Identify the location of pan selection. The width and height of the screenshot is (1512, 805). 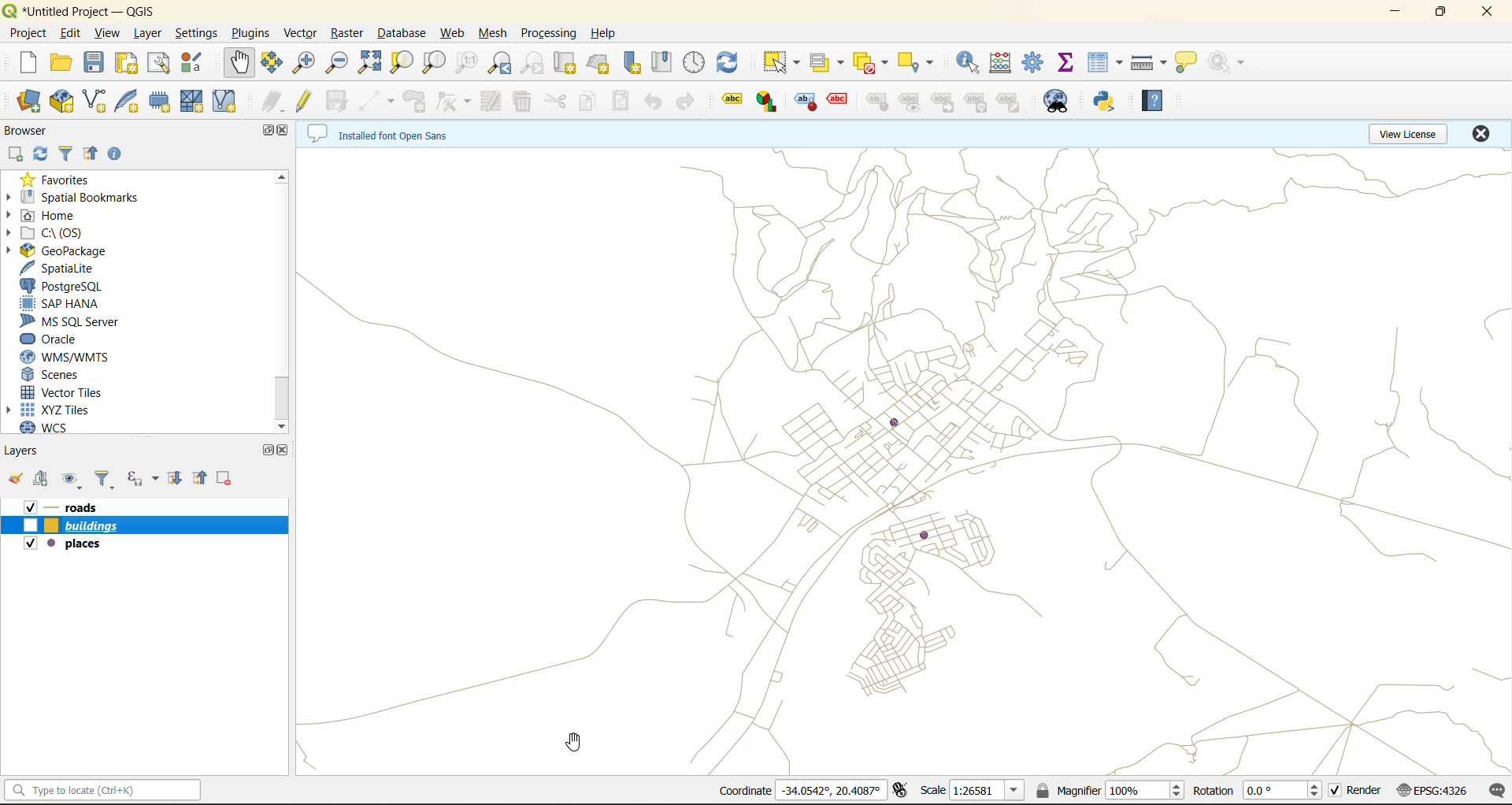
(270, 65).